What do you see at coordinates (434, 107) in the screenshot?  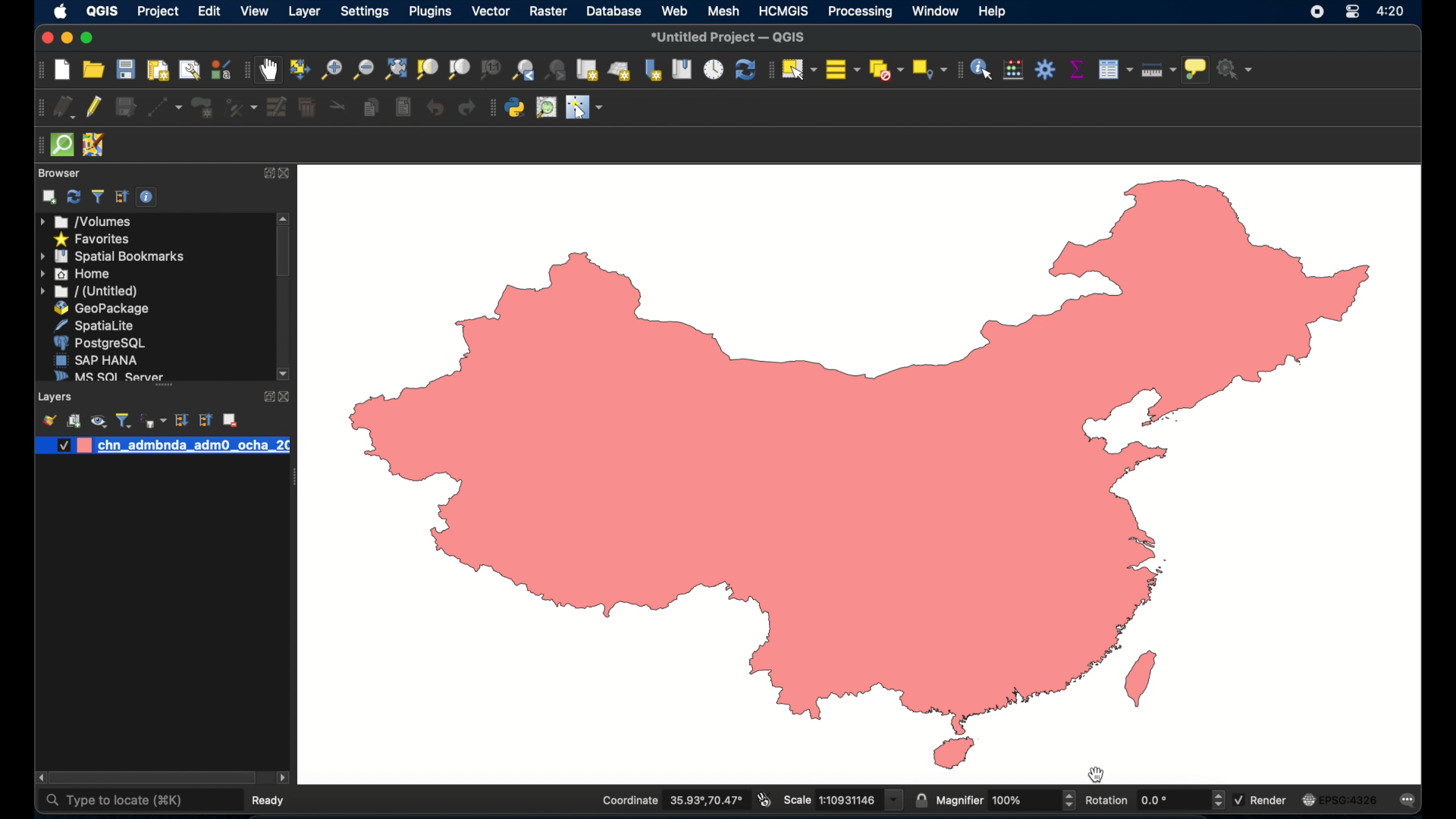 I see `undo` at bounding box center [434, 107].